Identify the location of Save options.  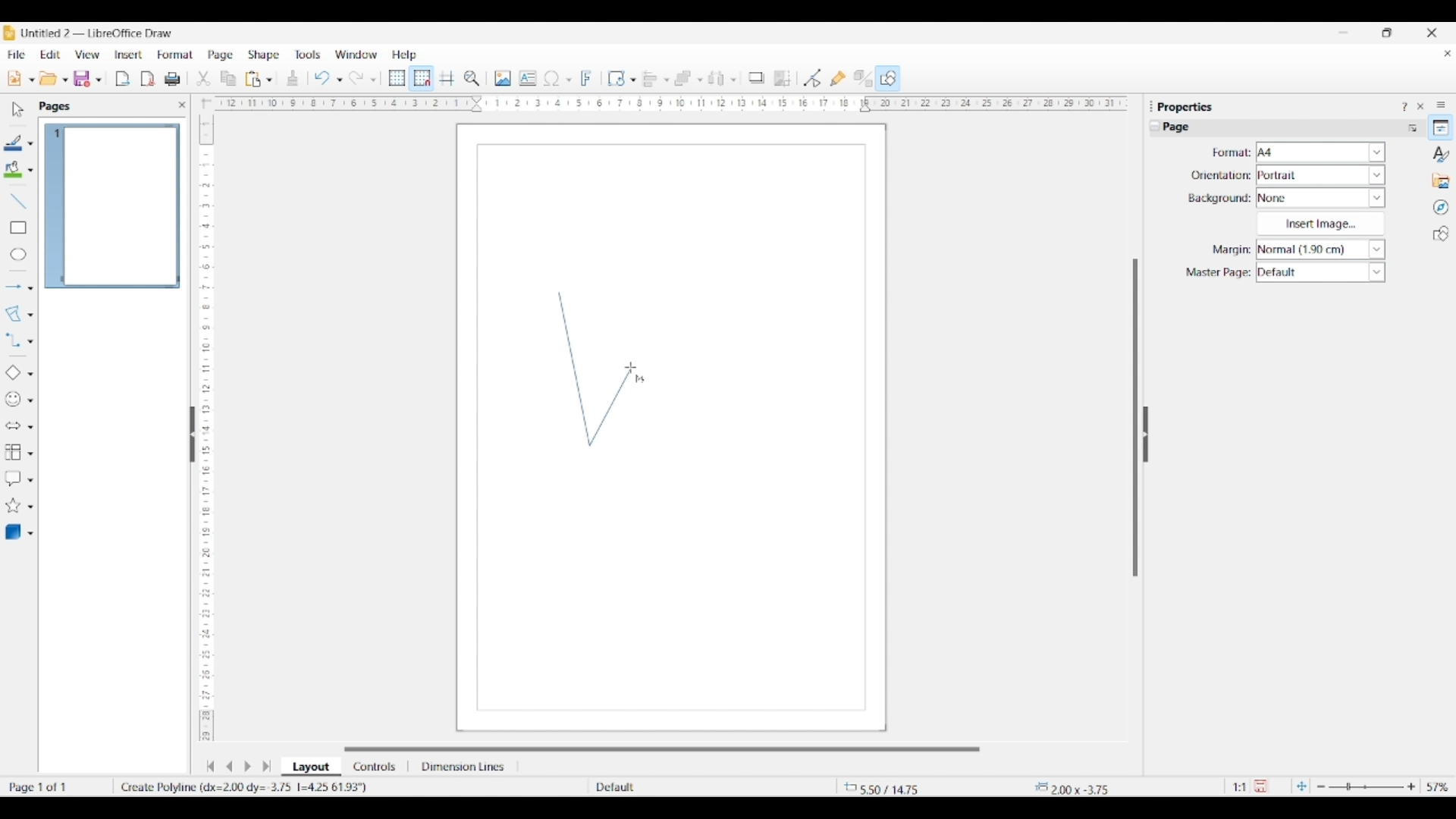
(99, 80).